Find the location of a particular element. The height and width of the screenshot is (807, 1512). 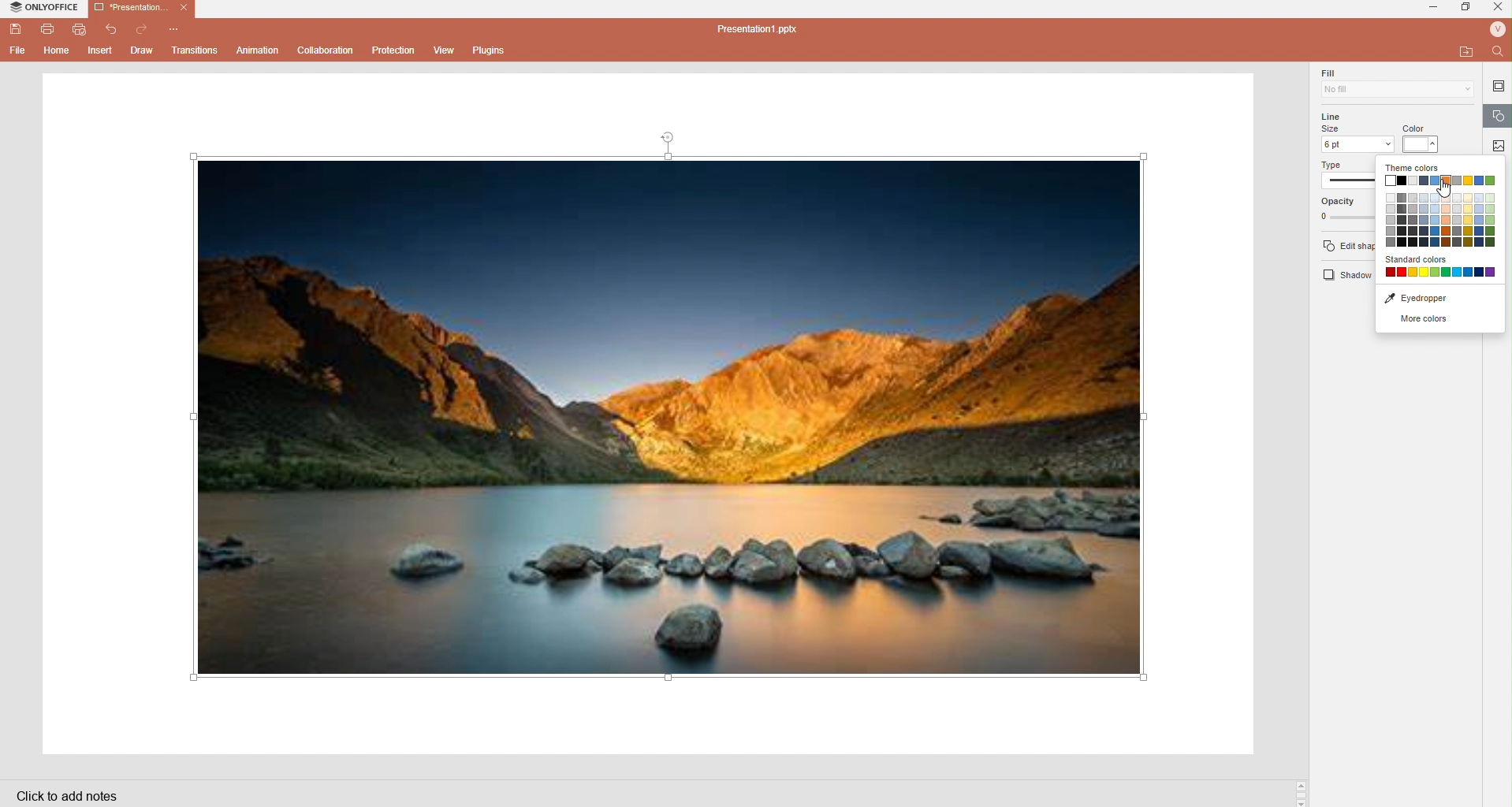

Presentation1. is located at coordinates (129, 7).